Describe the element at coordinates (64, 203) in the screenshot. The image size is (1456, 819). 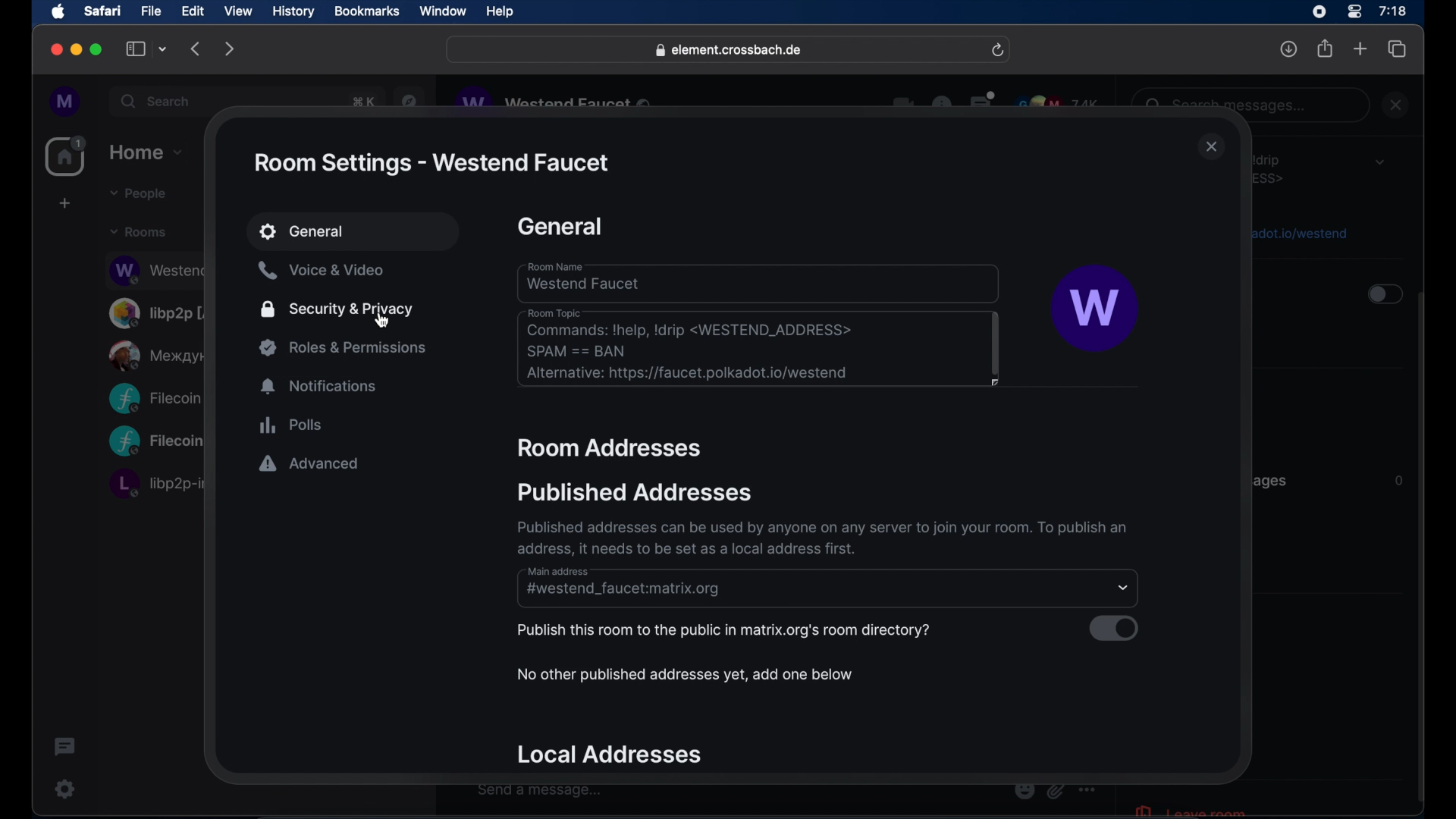
I see `create space` at that location.